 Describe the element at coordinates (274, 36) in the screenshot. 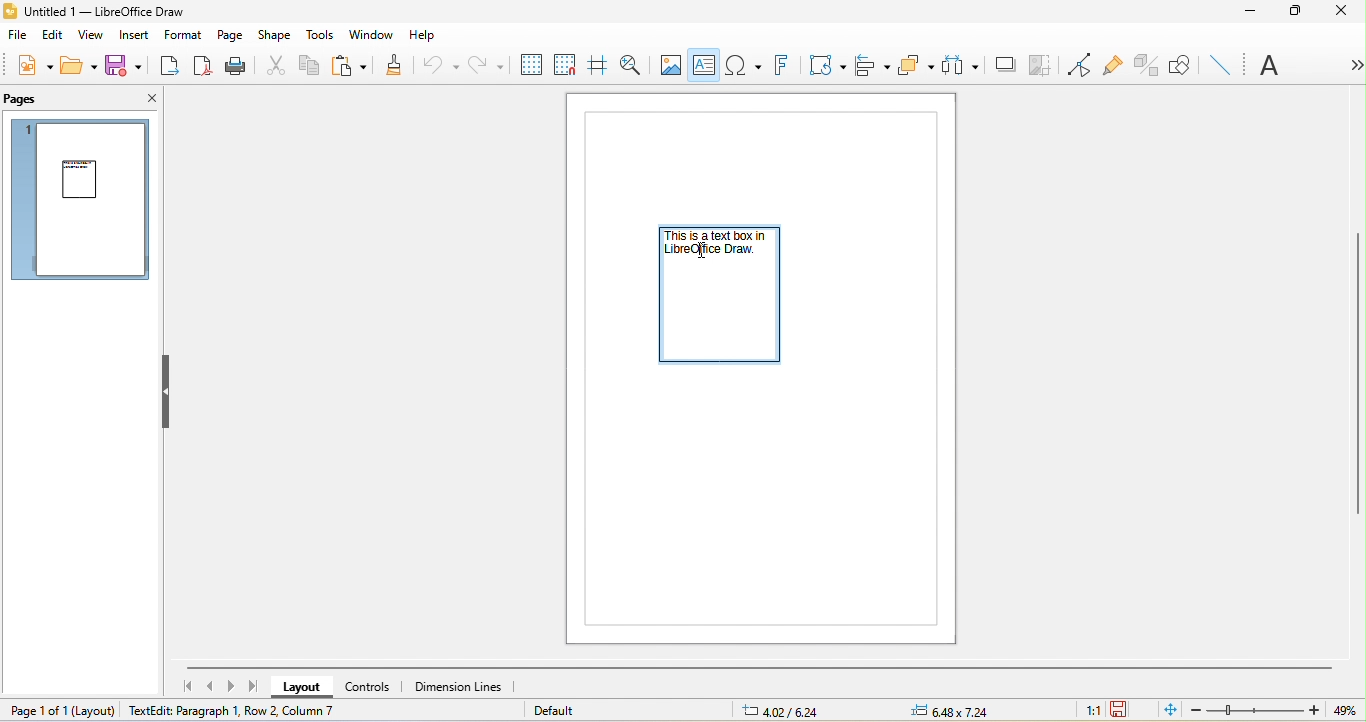

I see `shape` at that location.